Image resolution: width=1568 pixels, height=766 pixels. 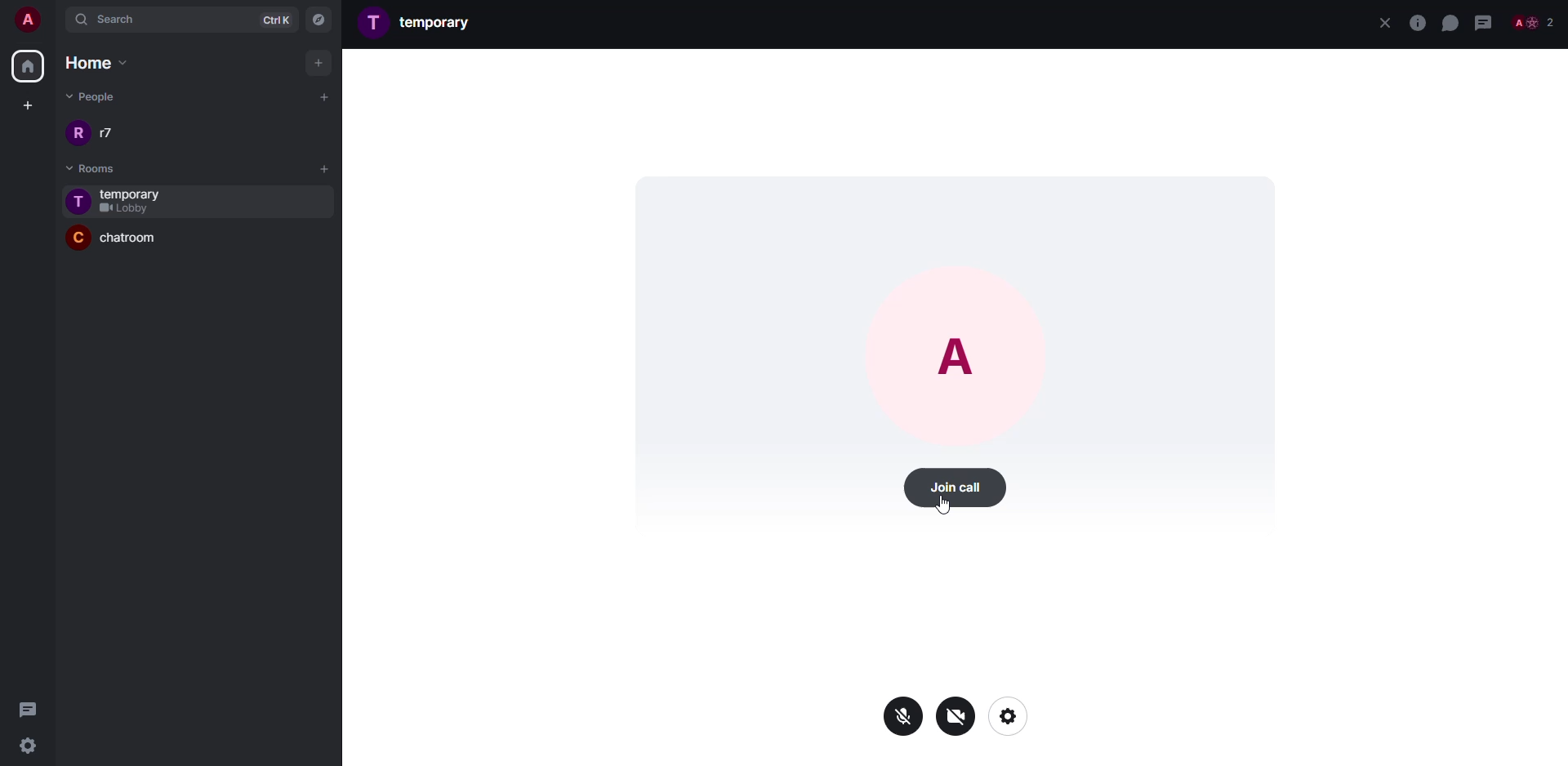 I want to click on threads, so click(x=1484, y=22).